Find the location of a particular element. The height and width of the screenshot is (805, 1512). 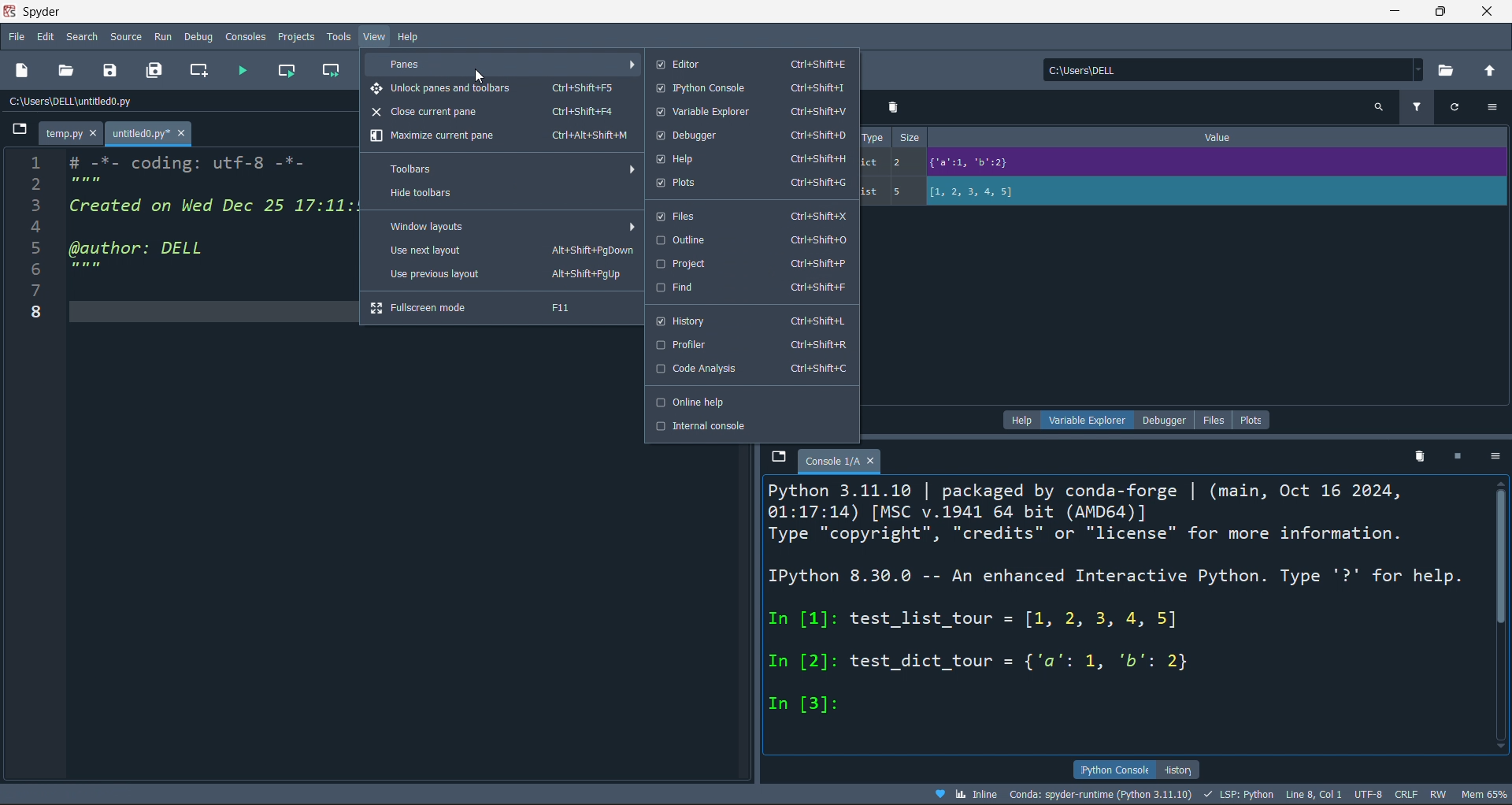

ipython console is located at coordinates (749, 88).